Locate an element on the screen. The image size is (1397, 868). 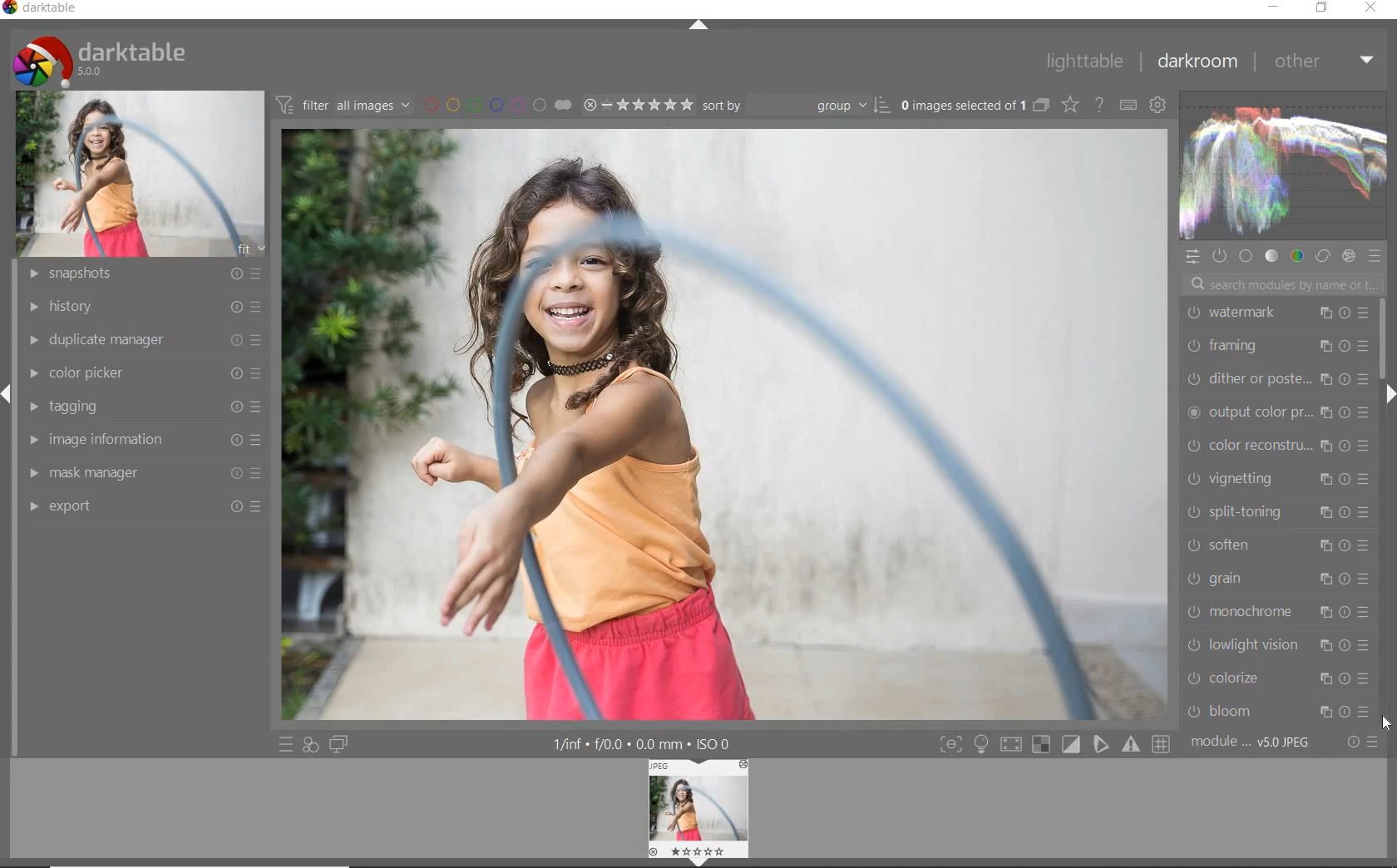
quick access for applying any of your styles is located at coordinates (310, 746).